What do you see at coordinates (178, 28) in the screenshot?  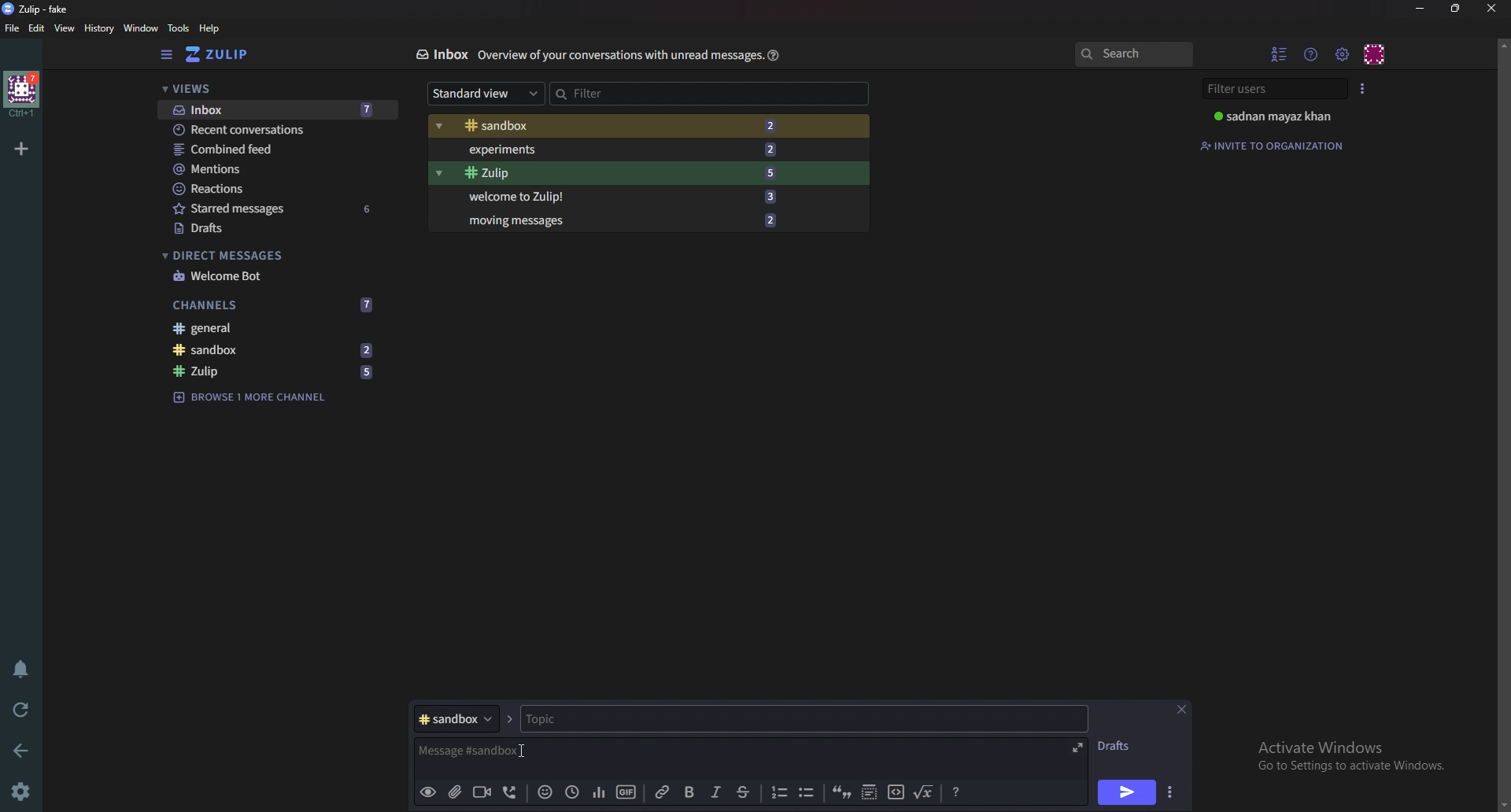 I see `Tools` at bounding box center [178, 28].